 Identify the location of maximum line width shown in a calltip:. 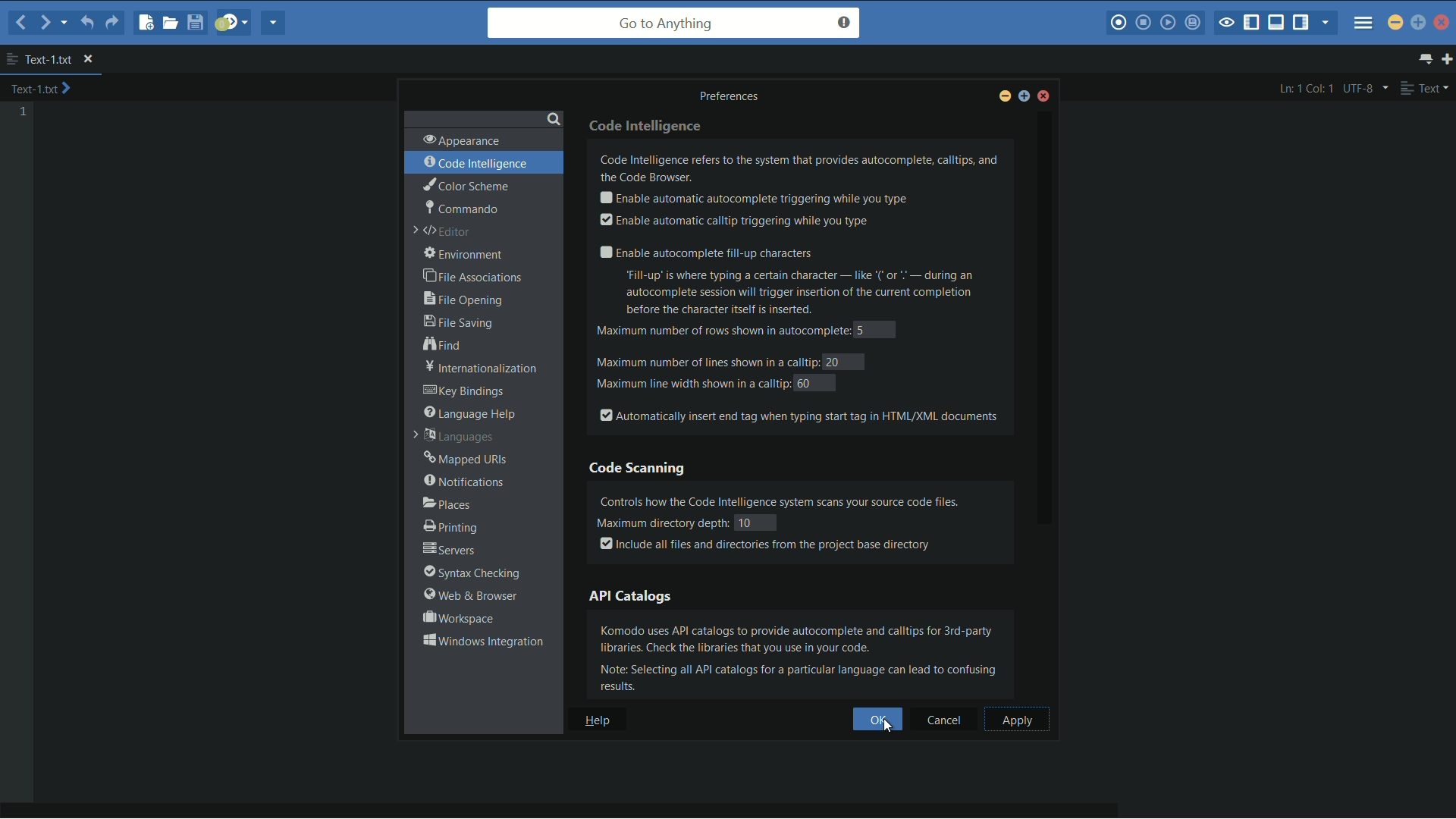
(691, 384).